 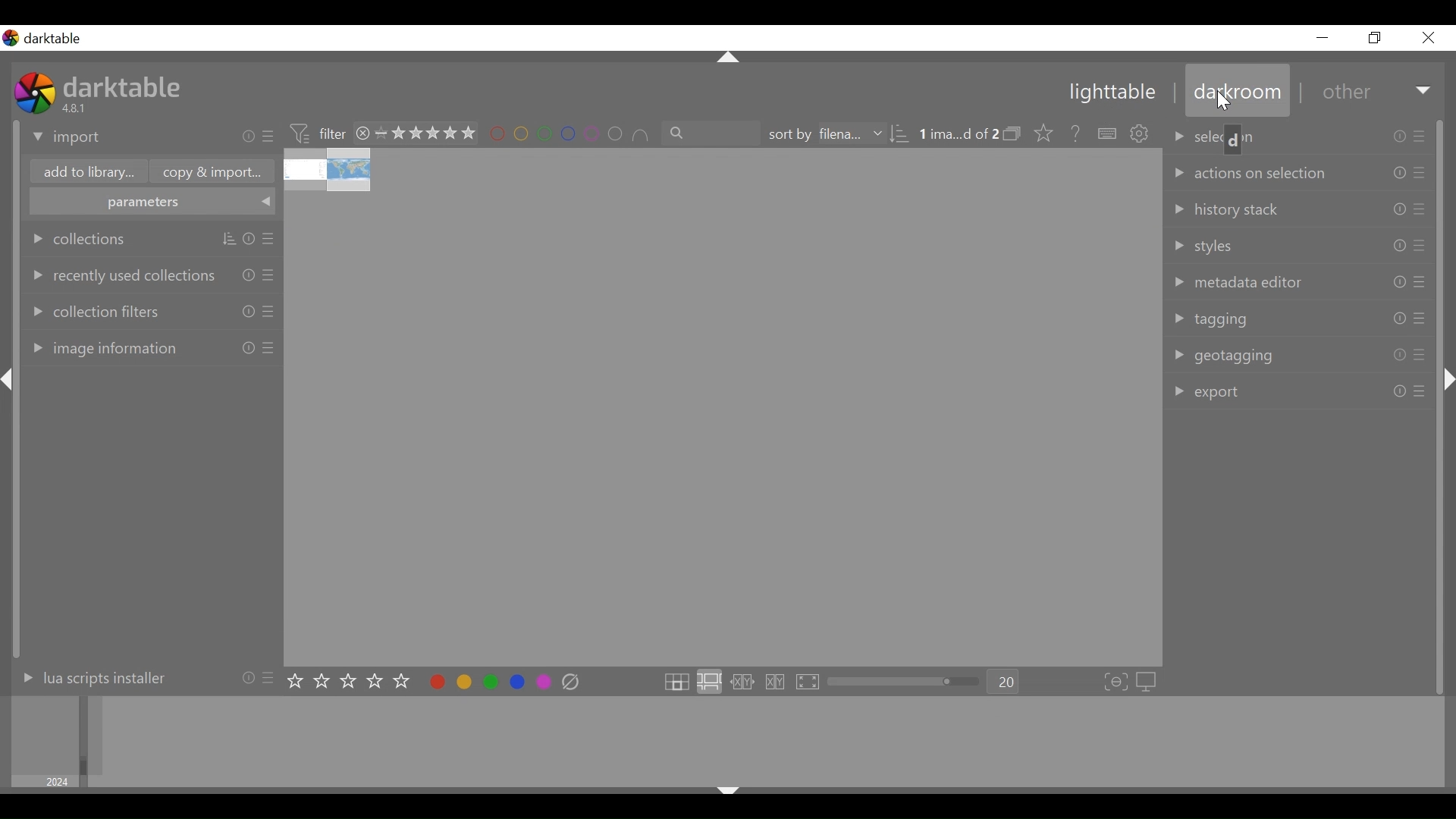 What do you see at coordinates (676, 681) in the screenshot?
I see `click to enter file manager layout` at bounding box center [676, 681].